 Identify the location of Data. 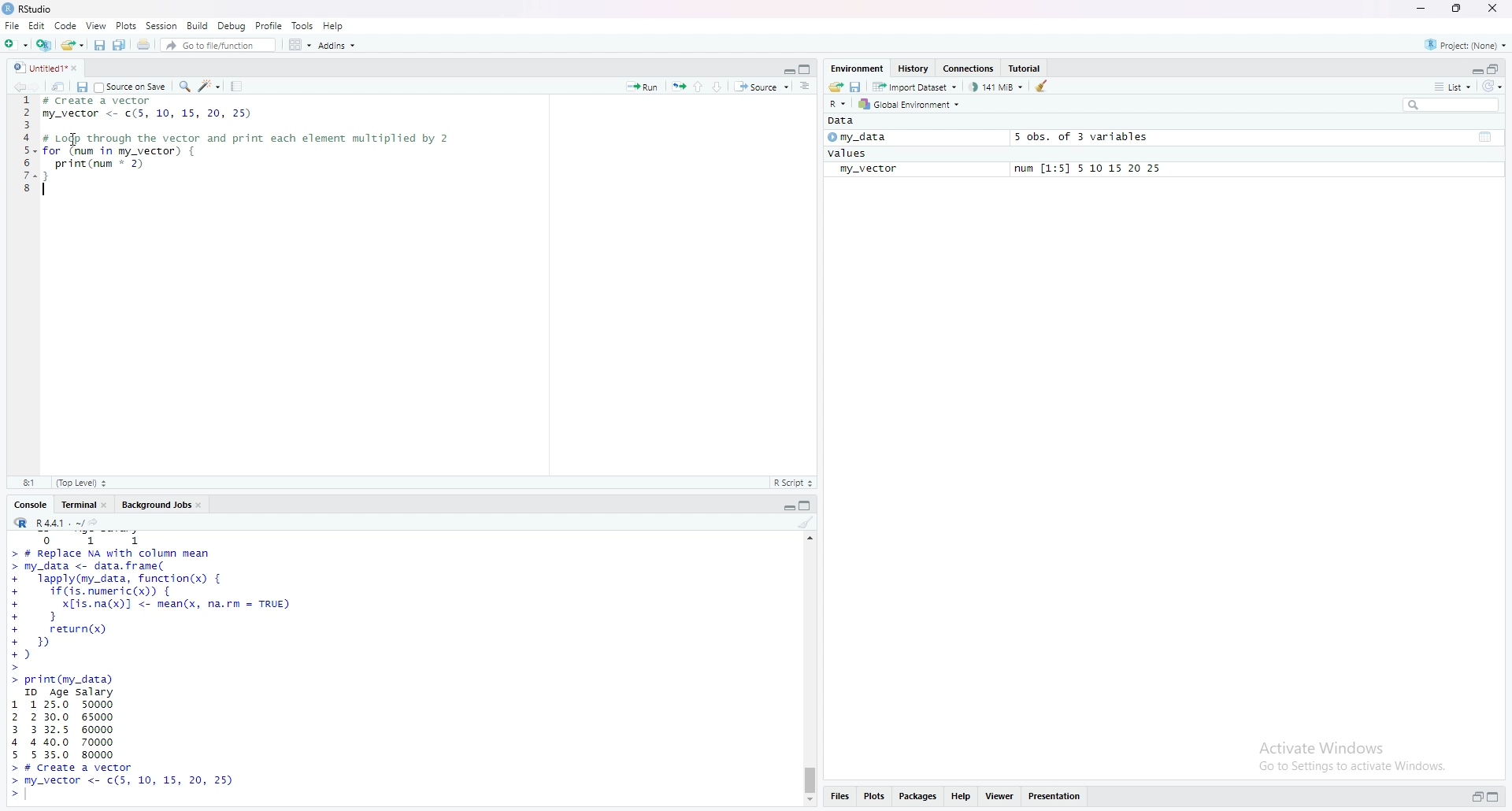
(847, 121).